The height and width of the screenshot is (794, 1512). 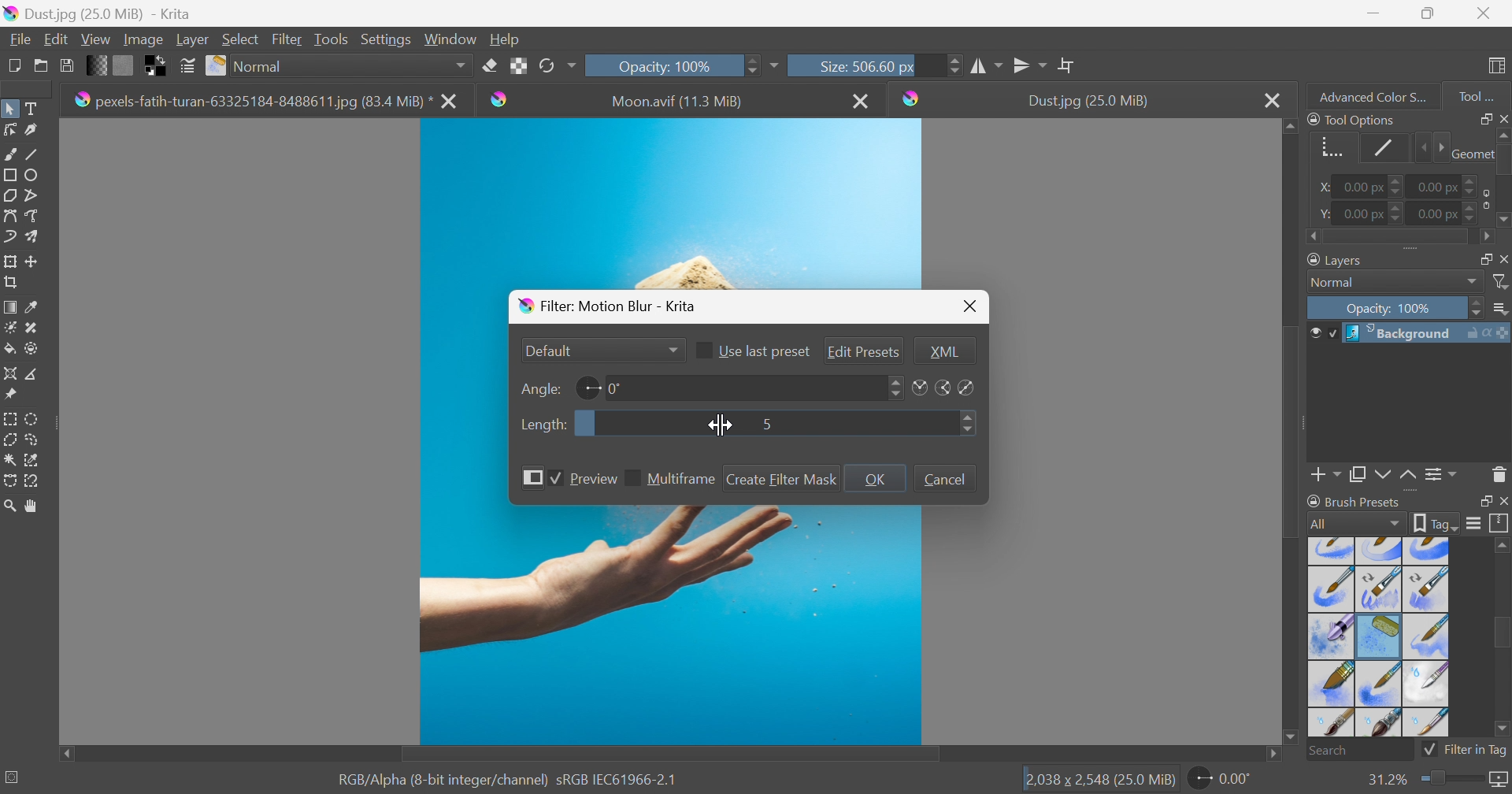 What do you see at coordinates (36, 458) in the screenshot?
I see `selection tool` at bounding box center [36, 458].